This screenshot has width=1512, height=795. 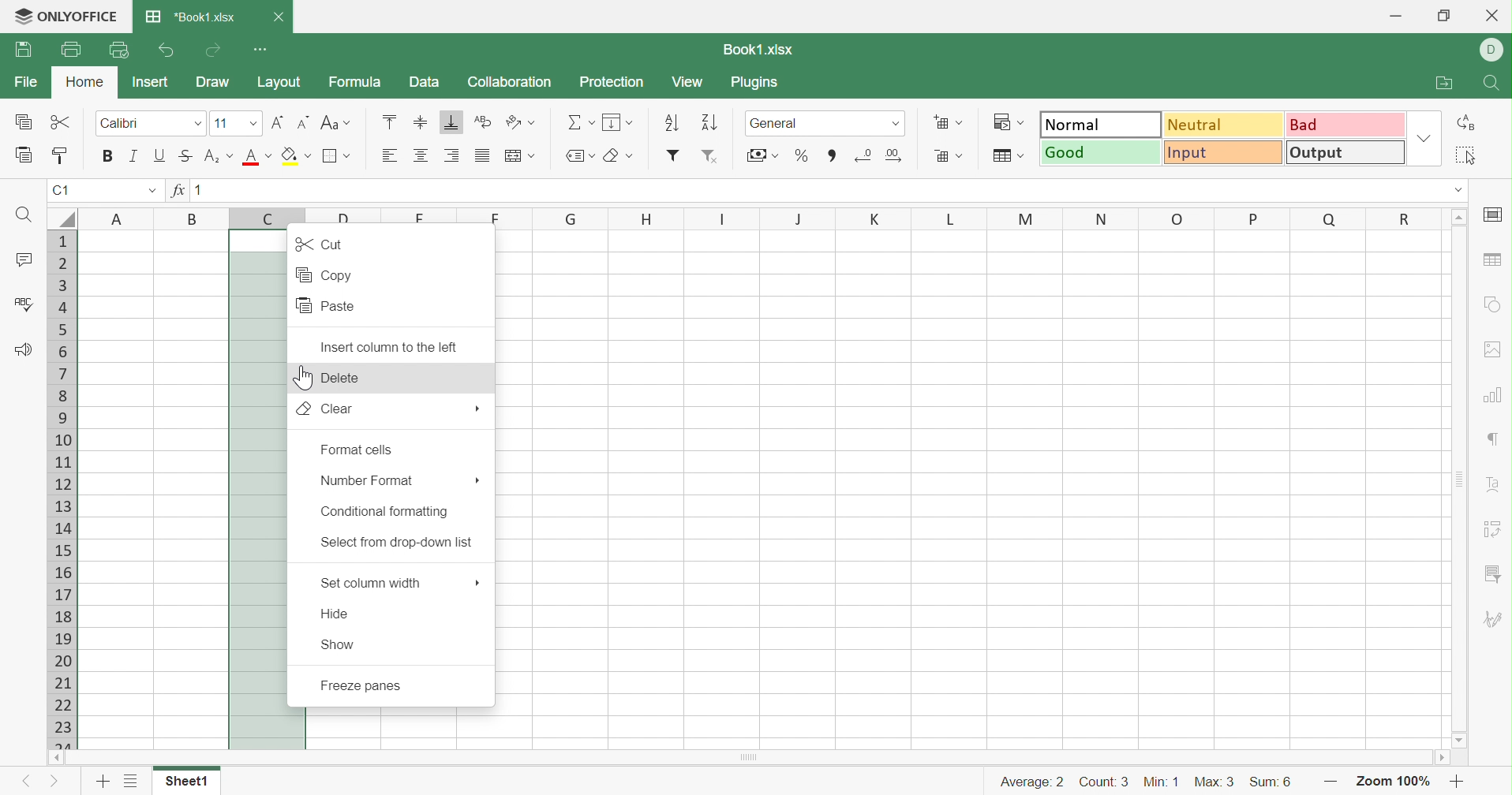 What do you see at coordinates (29, 782) in the screenshot?
I see `Previous` at bounding box center [29, 782].